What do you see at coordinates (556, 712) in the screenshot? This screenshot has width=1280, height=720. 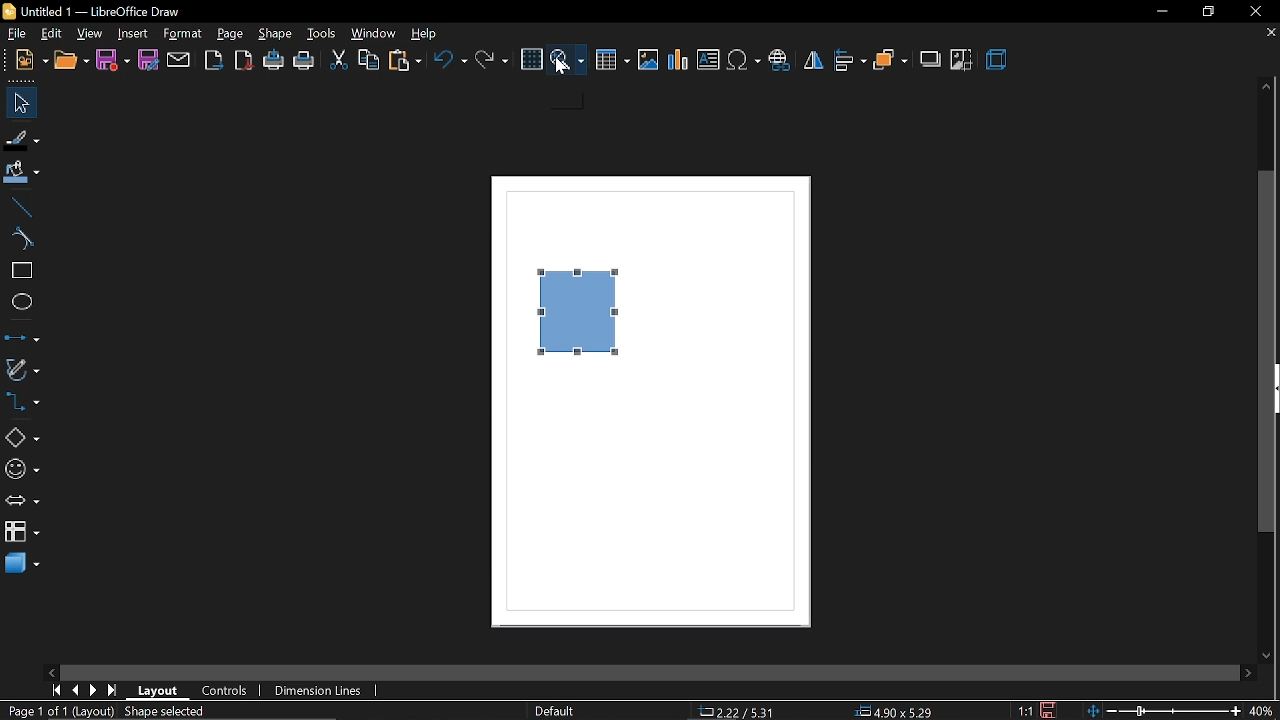 I see `page style` at bounding box center [556, 712].